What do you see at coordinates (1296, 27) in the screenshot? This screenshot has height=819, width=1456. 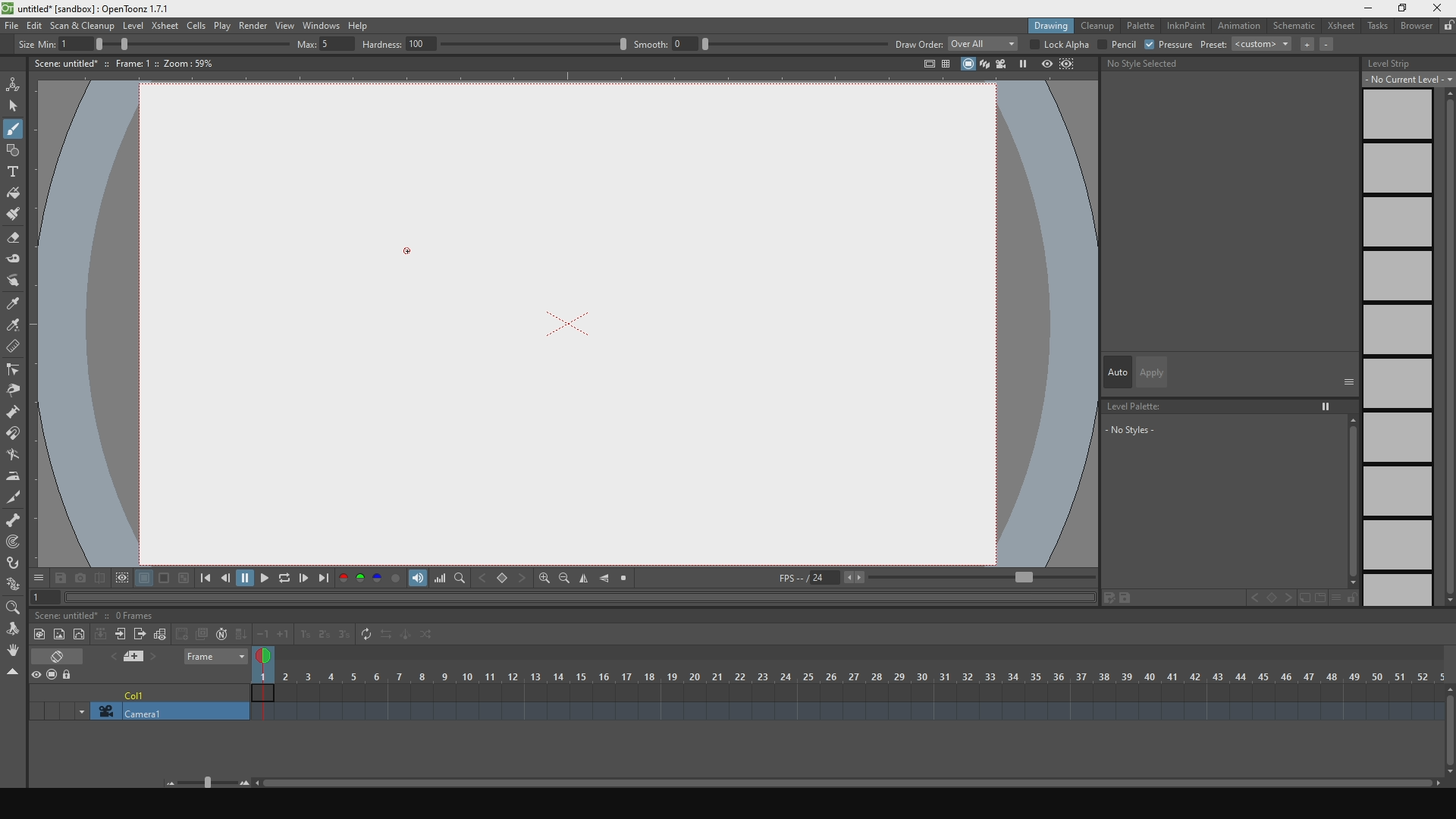 I see `schematic` at bounding box center [1296, 27].